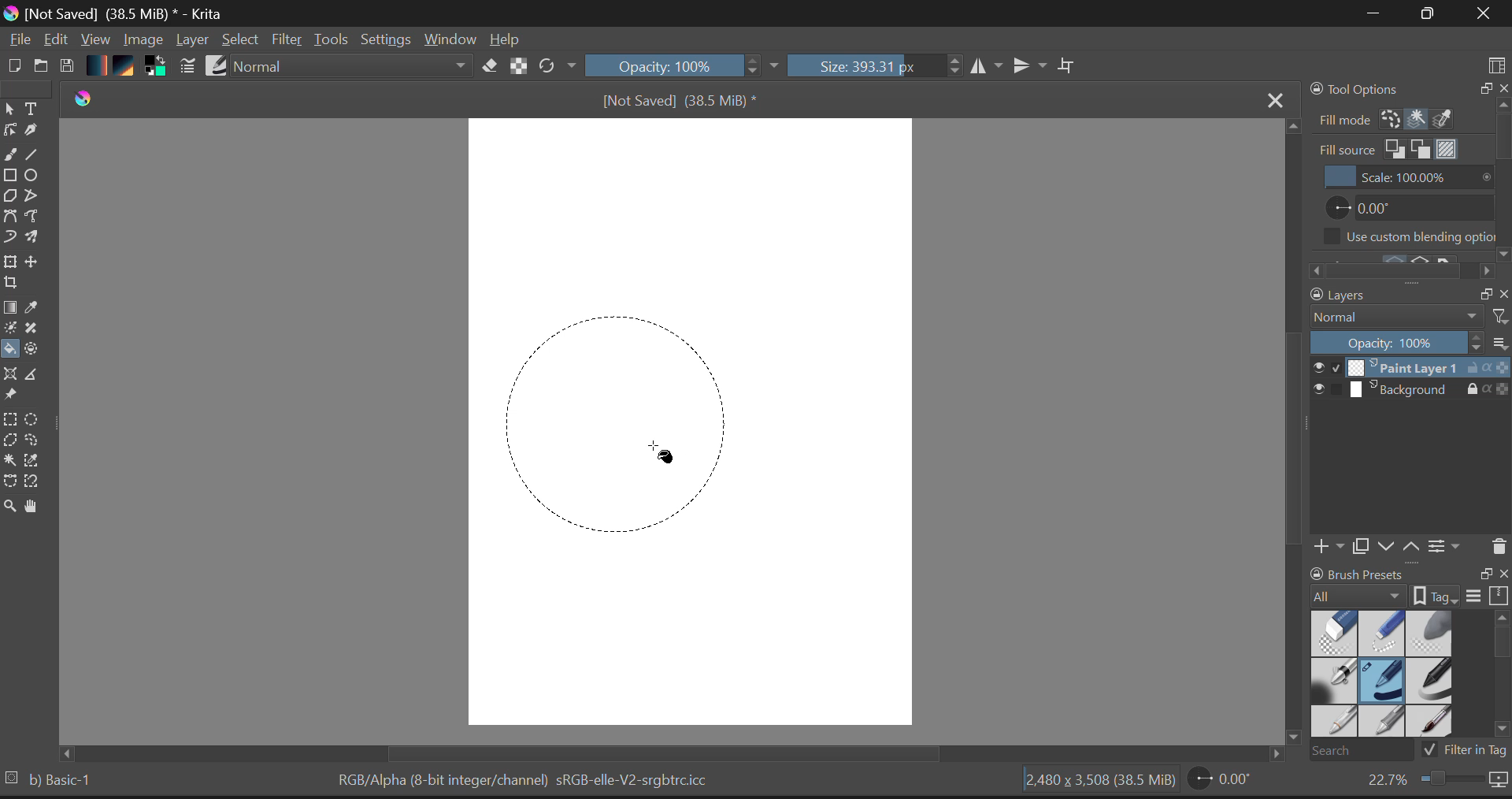 The width and height of the screenshot is (1512, 799). I want to click on Zoom, so click(1435, 783).